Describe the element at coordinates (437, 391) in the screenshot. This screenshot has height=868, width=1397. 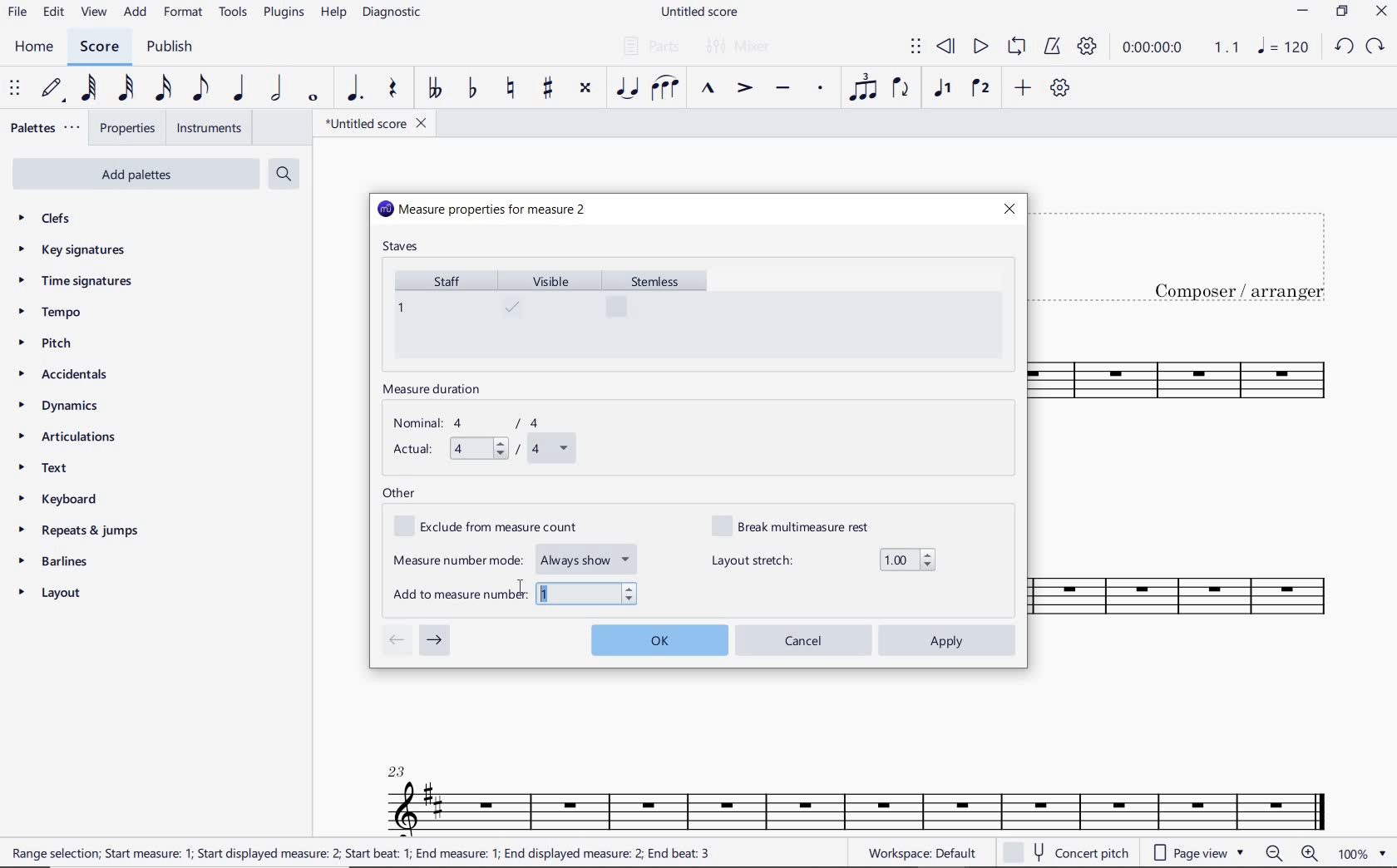
I see `measure duration` at that location.